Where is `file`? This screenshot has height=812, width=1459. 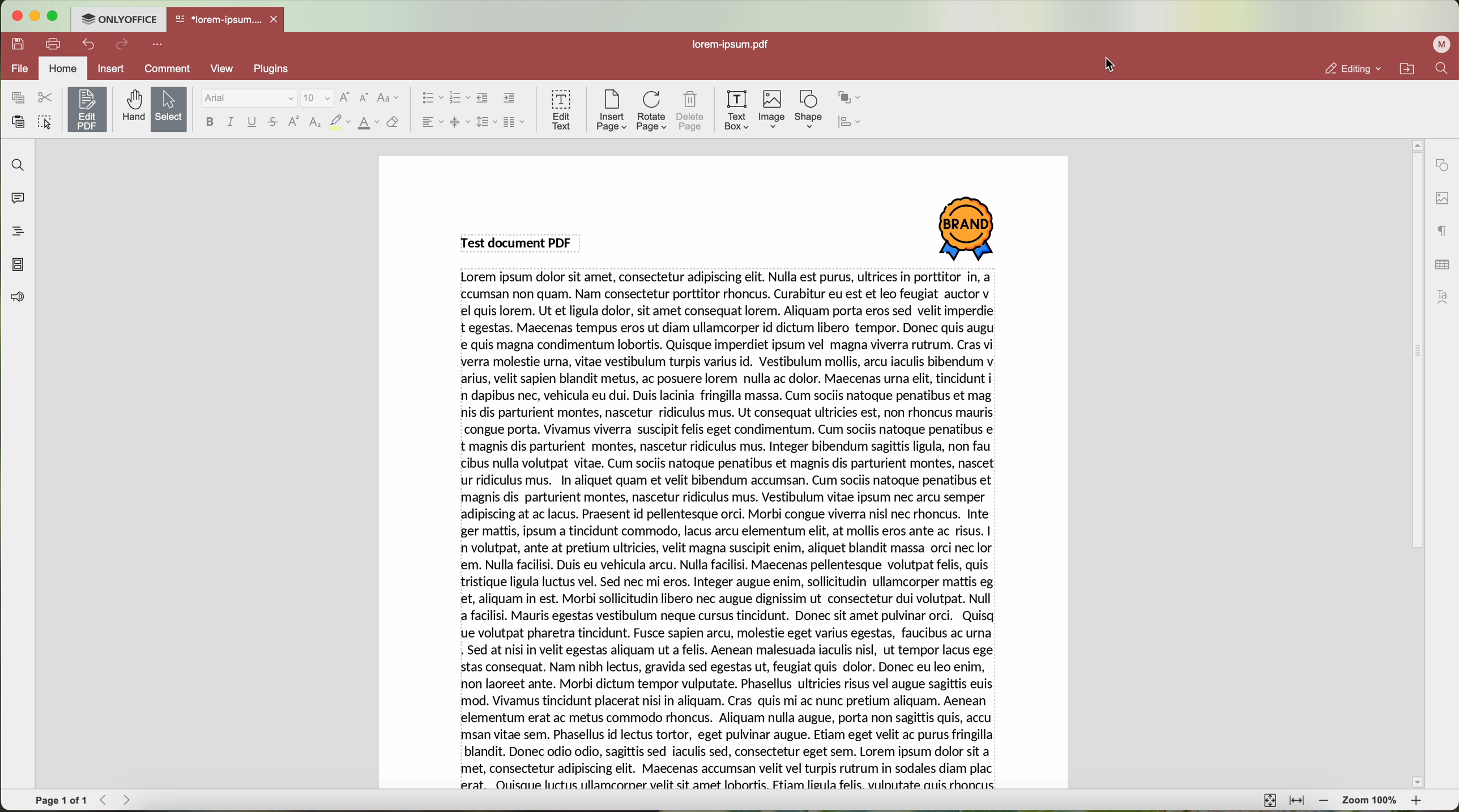
file is located at coordinates (18, 70).